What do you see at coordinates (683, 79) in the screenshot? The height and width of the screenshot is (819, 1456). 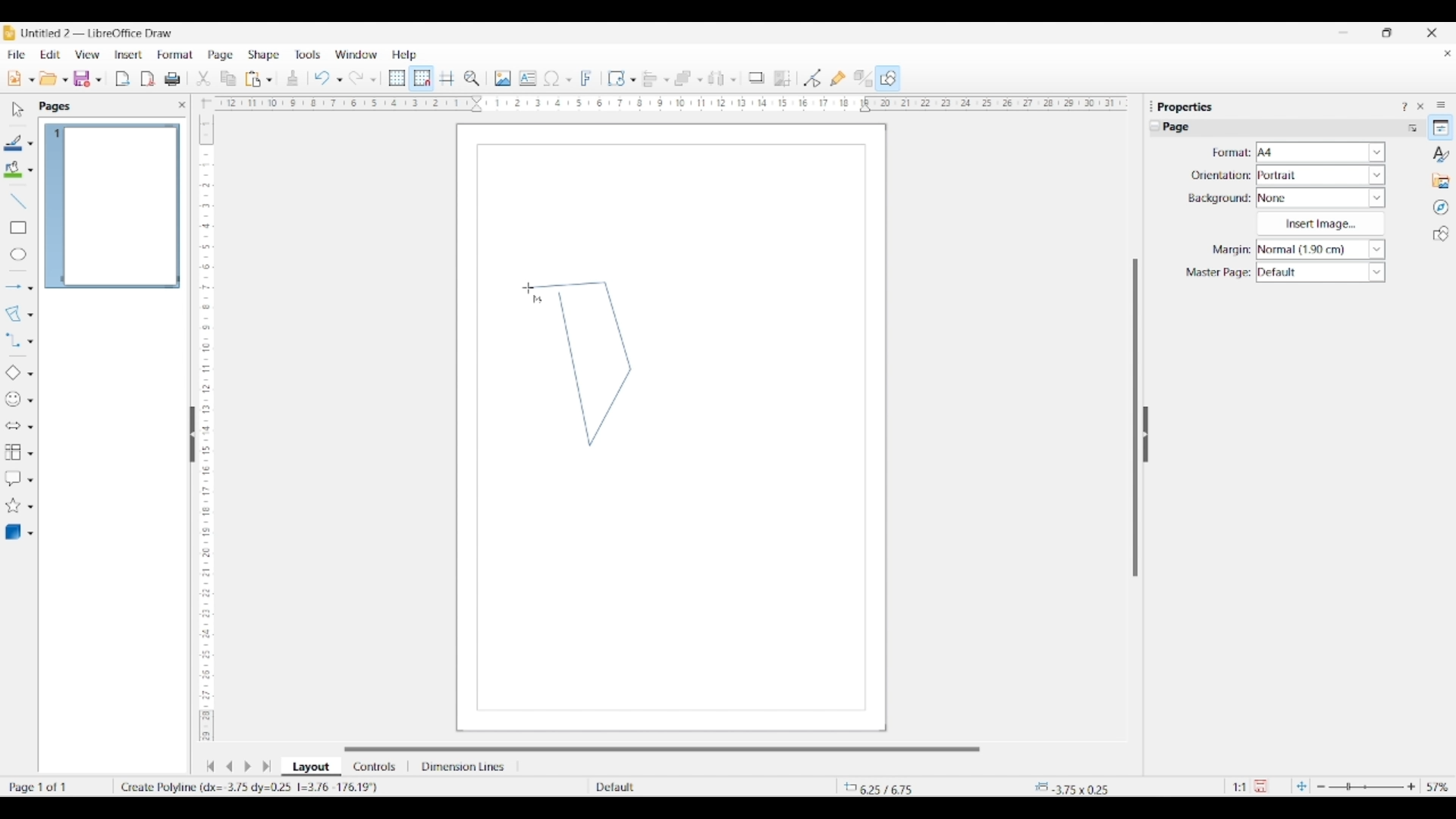 I see `Selected arrangement` at bounding box center [683, 79].